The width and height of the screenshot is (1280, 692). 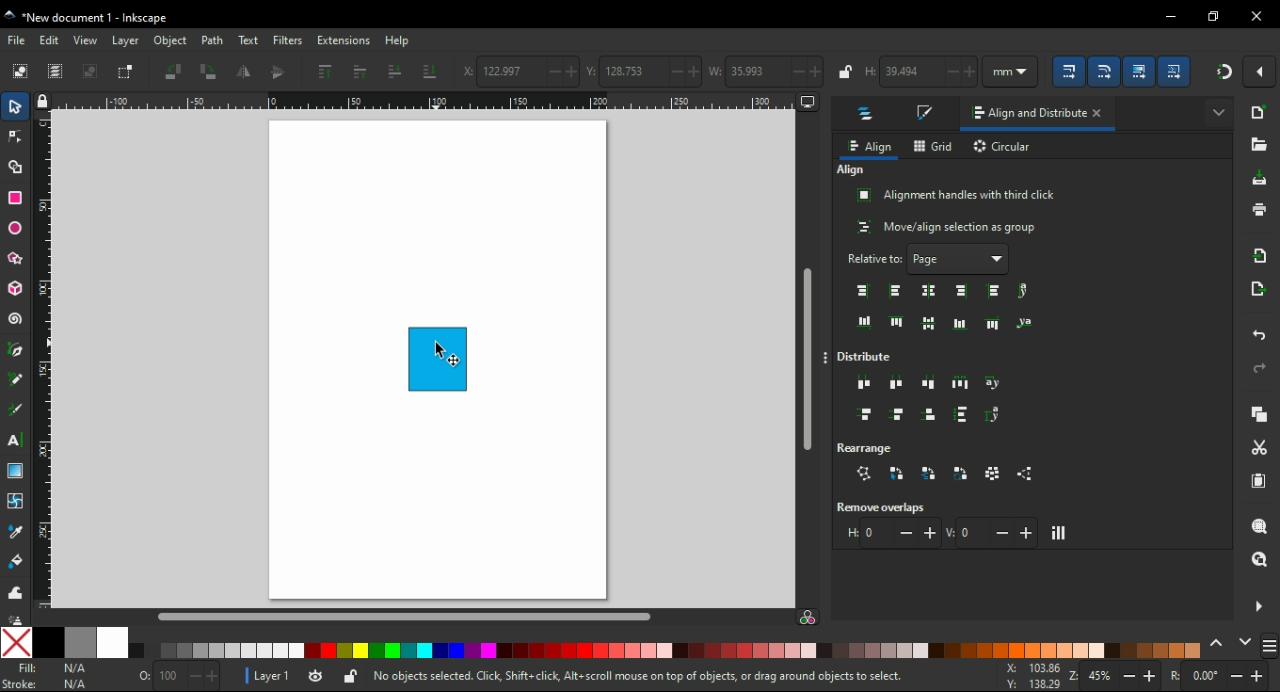 I want to click on pencil tool, so click(x=17, y=380).